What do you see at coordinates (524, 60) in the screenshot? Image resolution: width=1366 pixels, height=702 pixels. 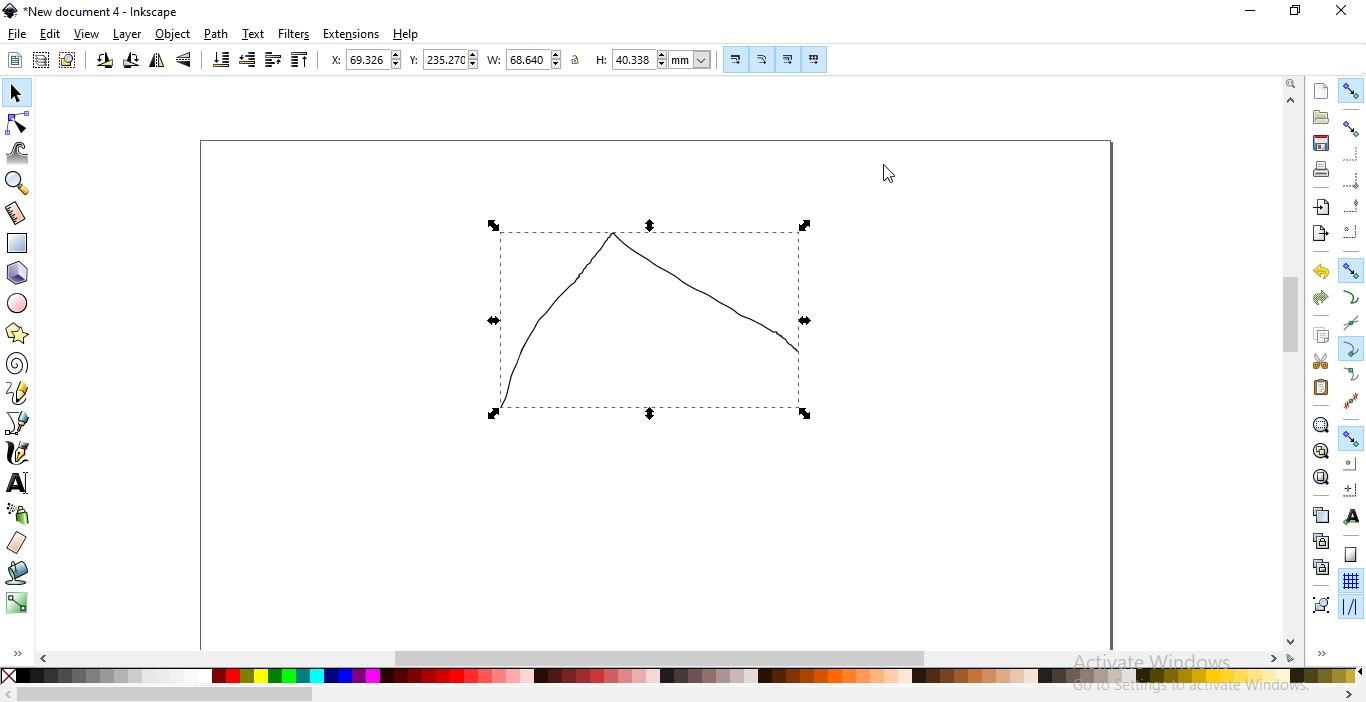 I see `width of selection` at bounding box center [524, 60].